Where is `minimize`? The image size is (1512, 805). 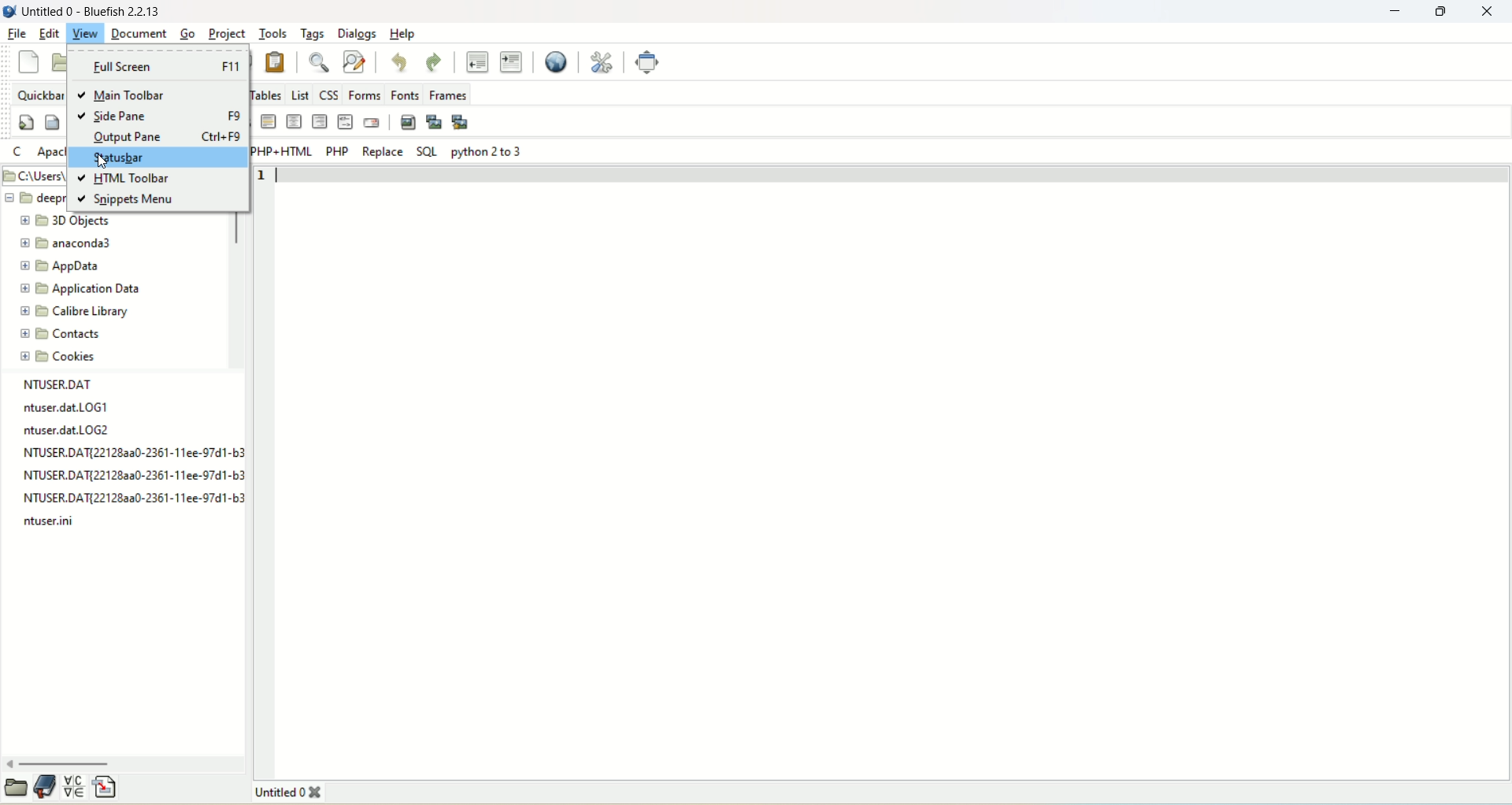 minimize is located at coordinates (1399, 11).